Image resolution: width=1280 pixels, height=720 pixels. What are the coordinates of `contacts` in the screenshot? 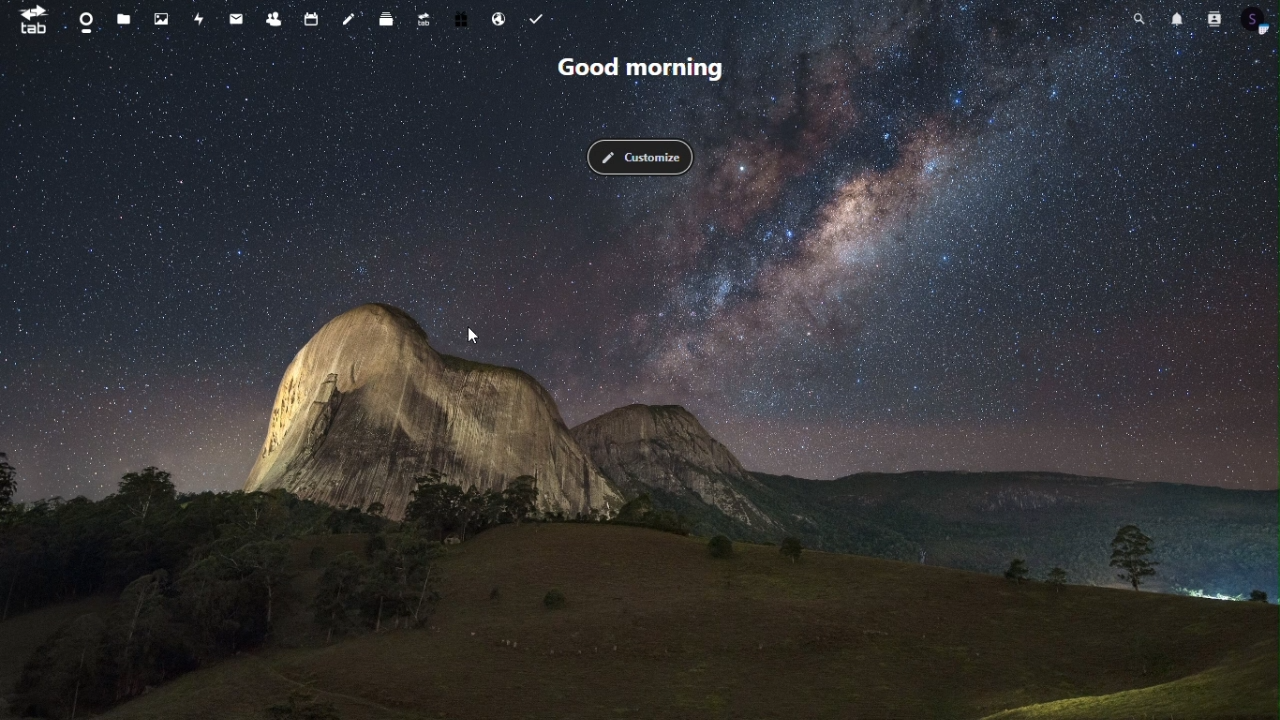 It's located at (276, 20).